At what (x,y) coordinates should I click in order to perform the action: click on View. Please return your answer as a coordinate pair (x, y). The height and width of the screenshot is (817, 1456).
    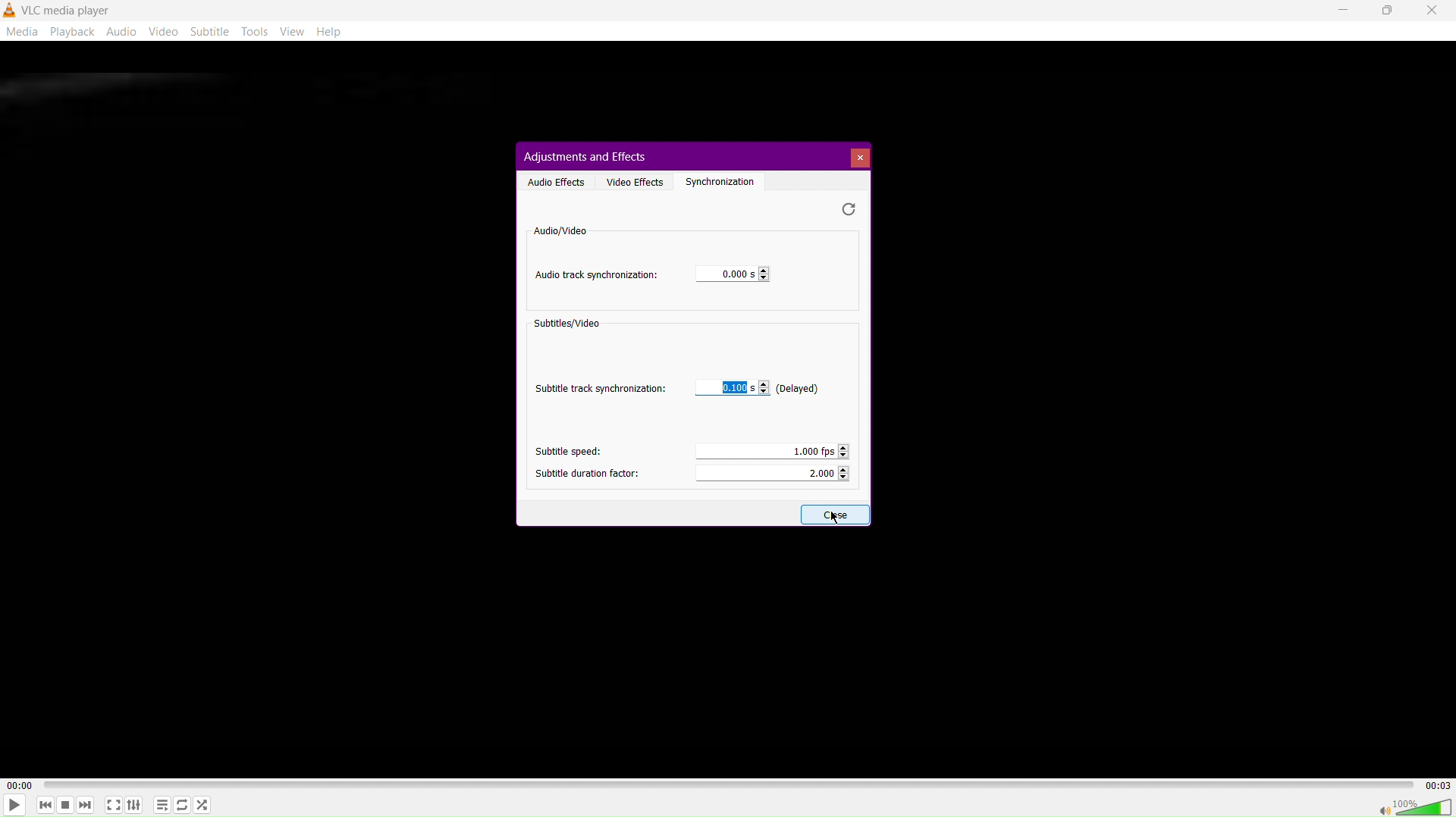
    Looking at the image, I should click on (294, 33).